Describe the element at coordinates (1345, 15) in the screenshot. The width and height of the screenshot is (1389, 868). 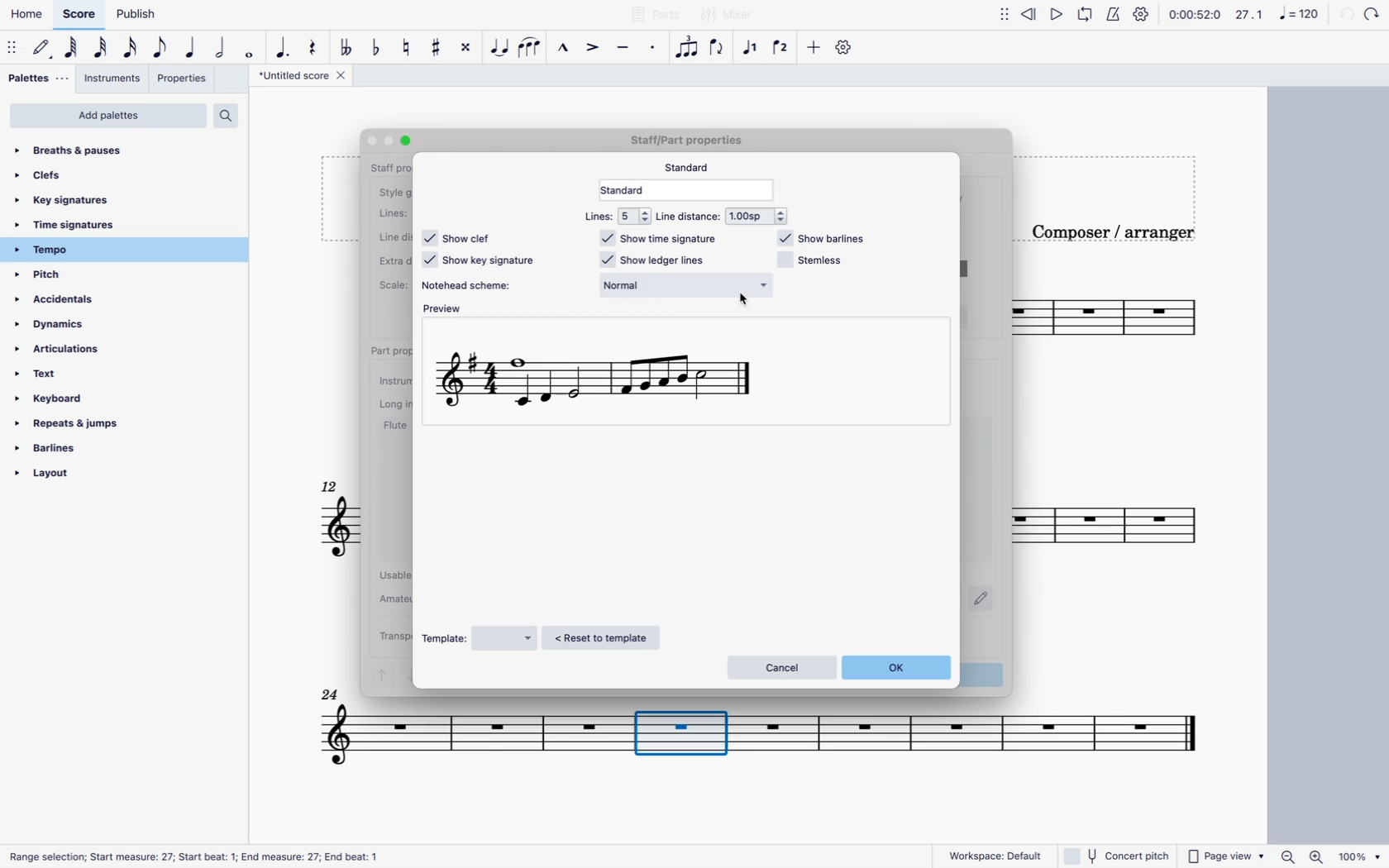
I see `back` at that location.